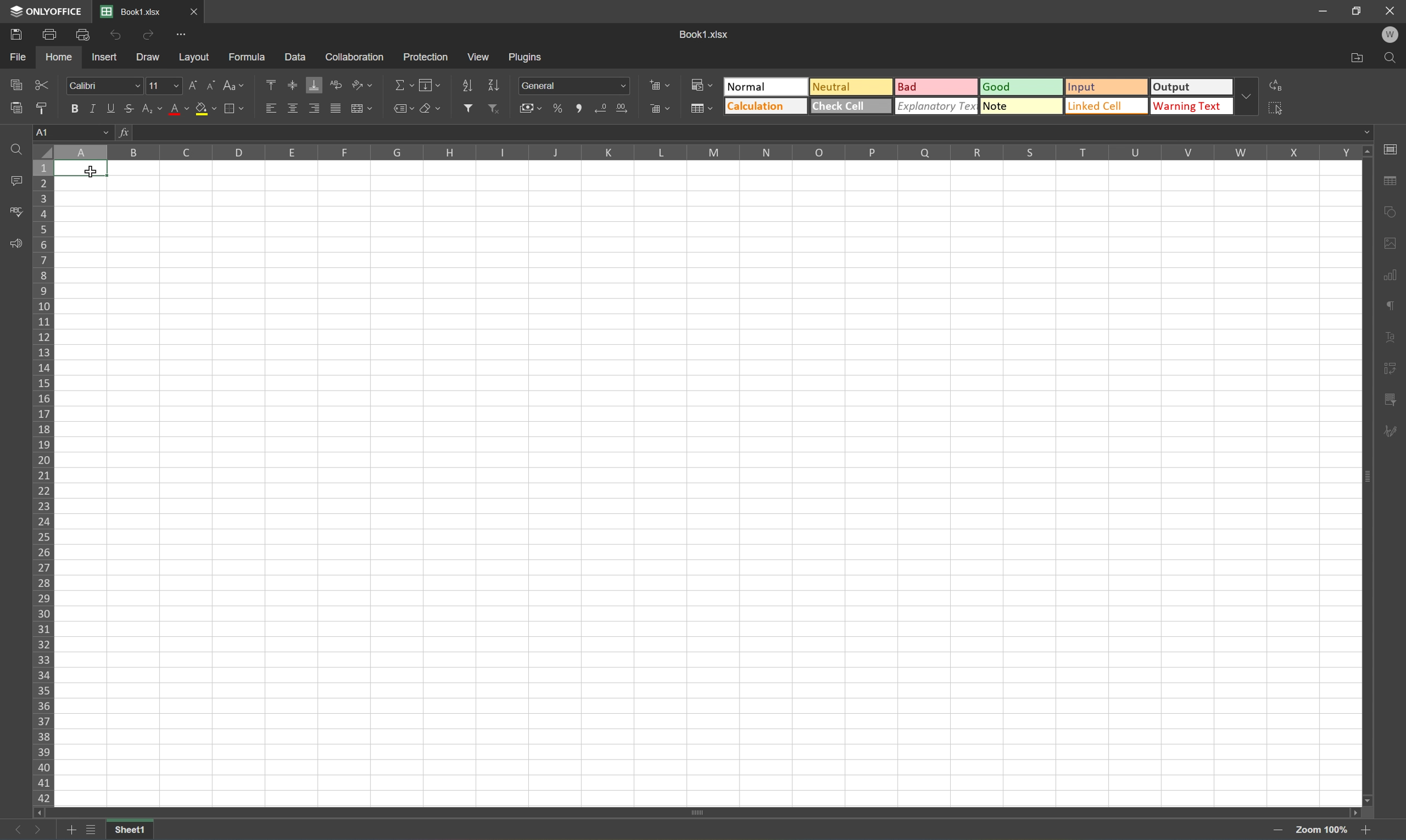 Image resolution: width=1406 pixels, height=840 pixels. I want to click on Format as table template, so click(700, 107).